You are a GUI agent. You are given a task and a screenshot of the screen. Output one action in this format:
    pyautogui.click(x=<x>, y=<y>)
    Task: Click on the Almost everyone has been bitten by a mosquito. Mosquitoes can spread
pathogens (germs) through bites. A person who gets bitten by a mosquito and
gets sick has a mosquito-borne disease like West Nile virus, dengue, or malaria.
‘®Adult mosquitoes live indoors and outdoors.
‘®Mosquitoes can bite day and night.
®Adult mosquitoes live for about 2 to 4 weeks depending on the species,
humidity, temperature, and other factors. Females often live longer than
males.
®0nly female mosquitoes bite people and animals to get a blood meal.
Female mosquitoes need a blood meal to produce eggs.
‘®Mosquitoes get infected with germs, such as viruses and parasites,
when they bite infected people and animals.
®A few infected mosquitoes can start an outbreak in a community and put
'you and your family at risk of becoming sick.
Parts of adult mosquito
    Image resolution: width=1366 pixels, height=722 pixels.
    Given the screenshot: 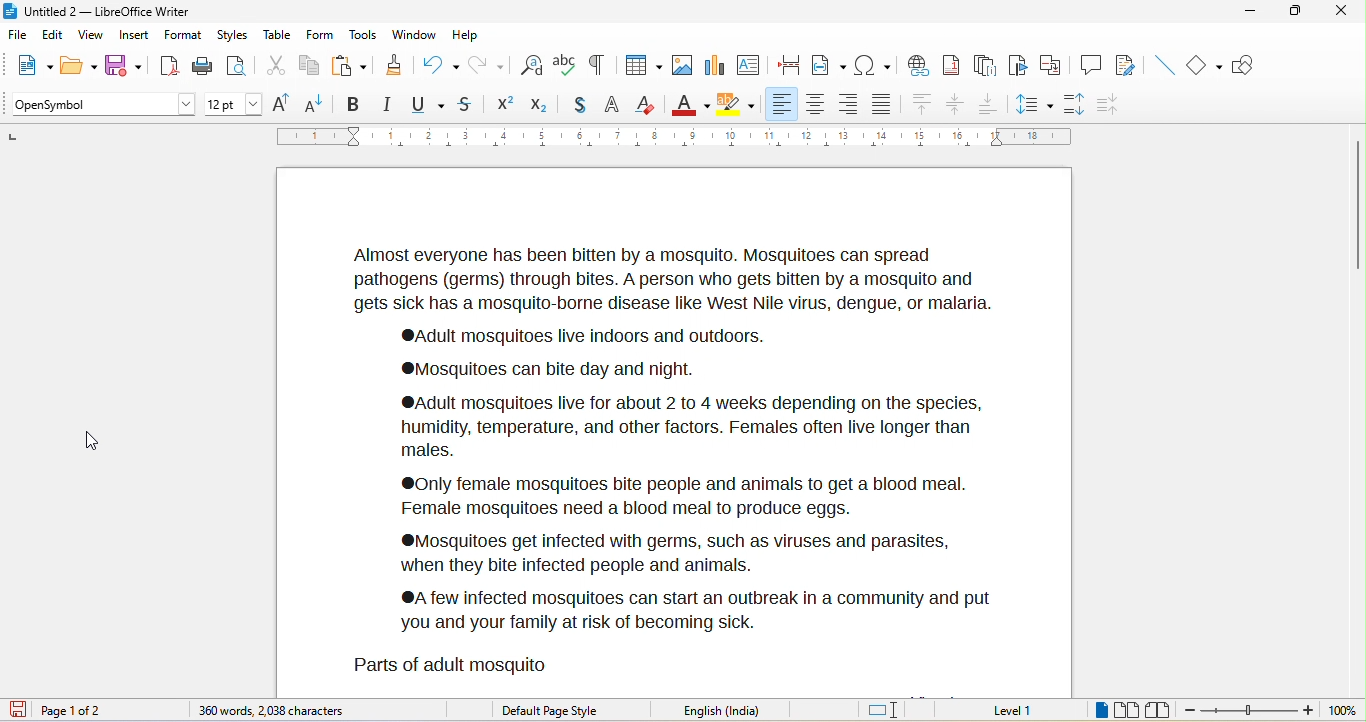 What is the action you would take?
    pyautogui.click(x=671, y=457)
    